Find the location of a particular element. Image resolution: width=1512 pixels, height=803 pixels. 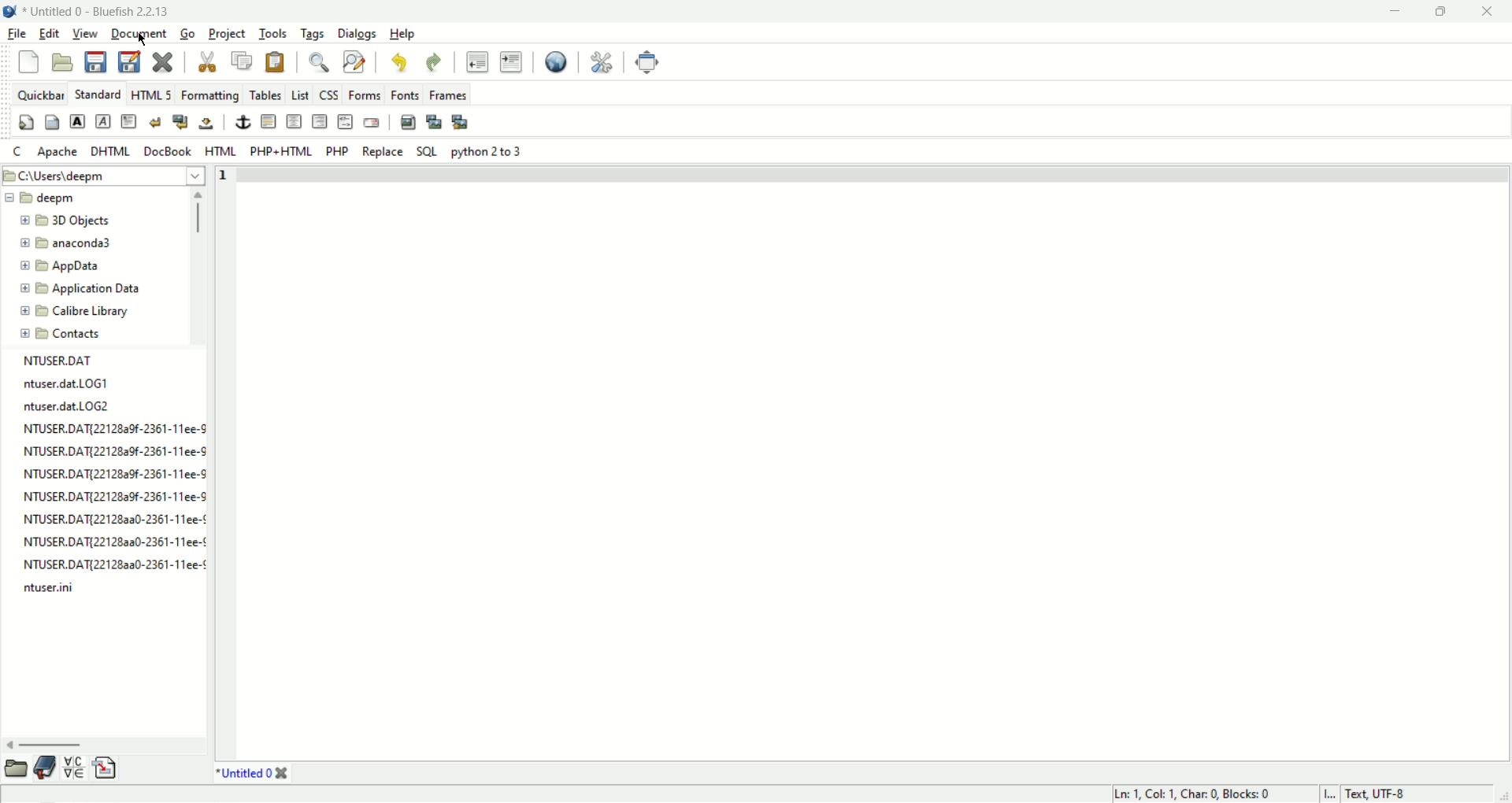

DHTML is located at coordinates (111, 151).